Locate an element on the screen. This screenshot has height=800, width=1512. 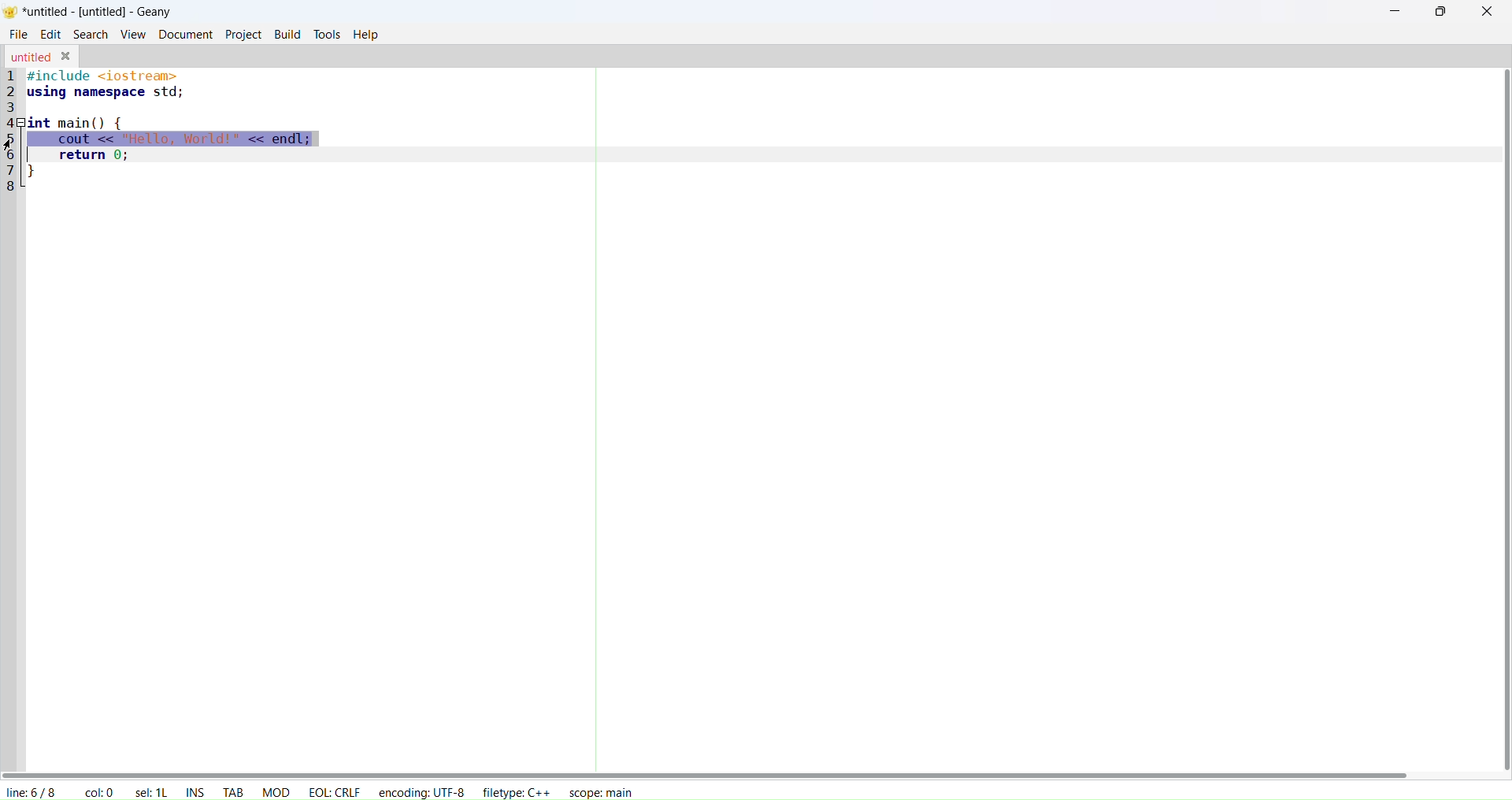
document is located at coordinates (187, 33).